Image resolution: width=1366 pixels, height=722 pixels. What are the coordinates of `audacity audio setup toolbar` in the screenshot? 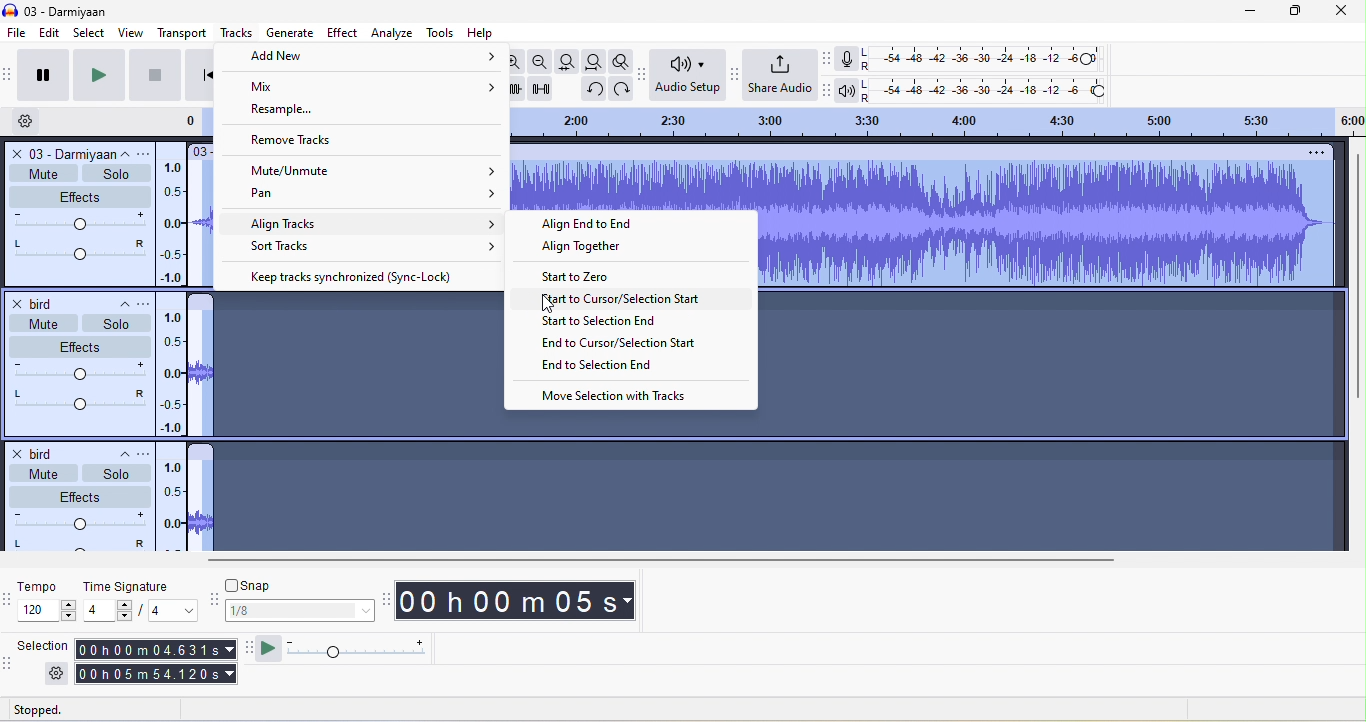 It's located at (642, 73).